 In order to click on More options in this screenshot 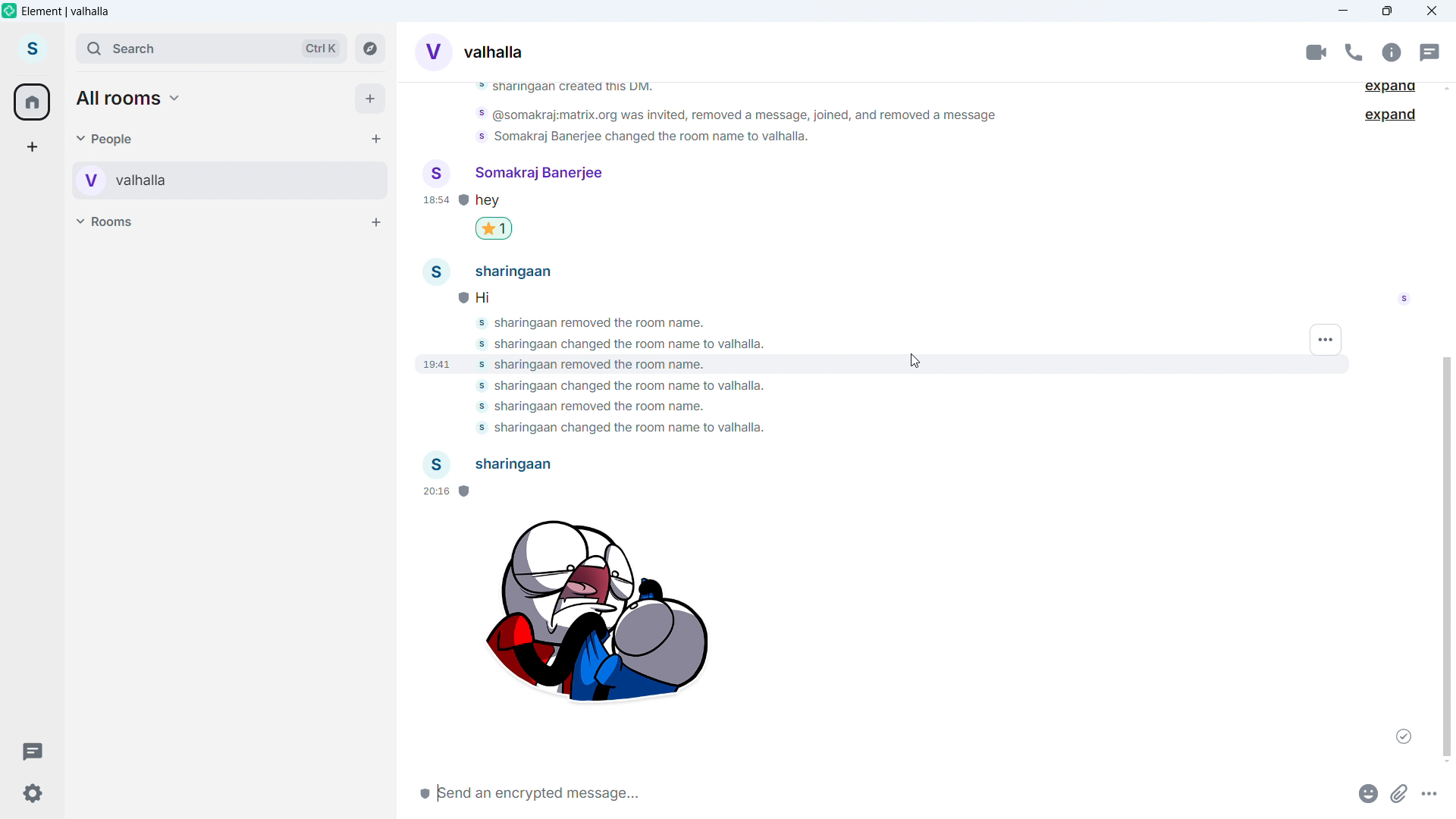, I will do `click(1432, 792)`.